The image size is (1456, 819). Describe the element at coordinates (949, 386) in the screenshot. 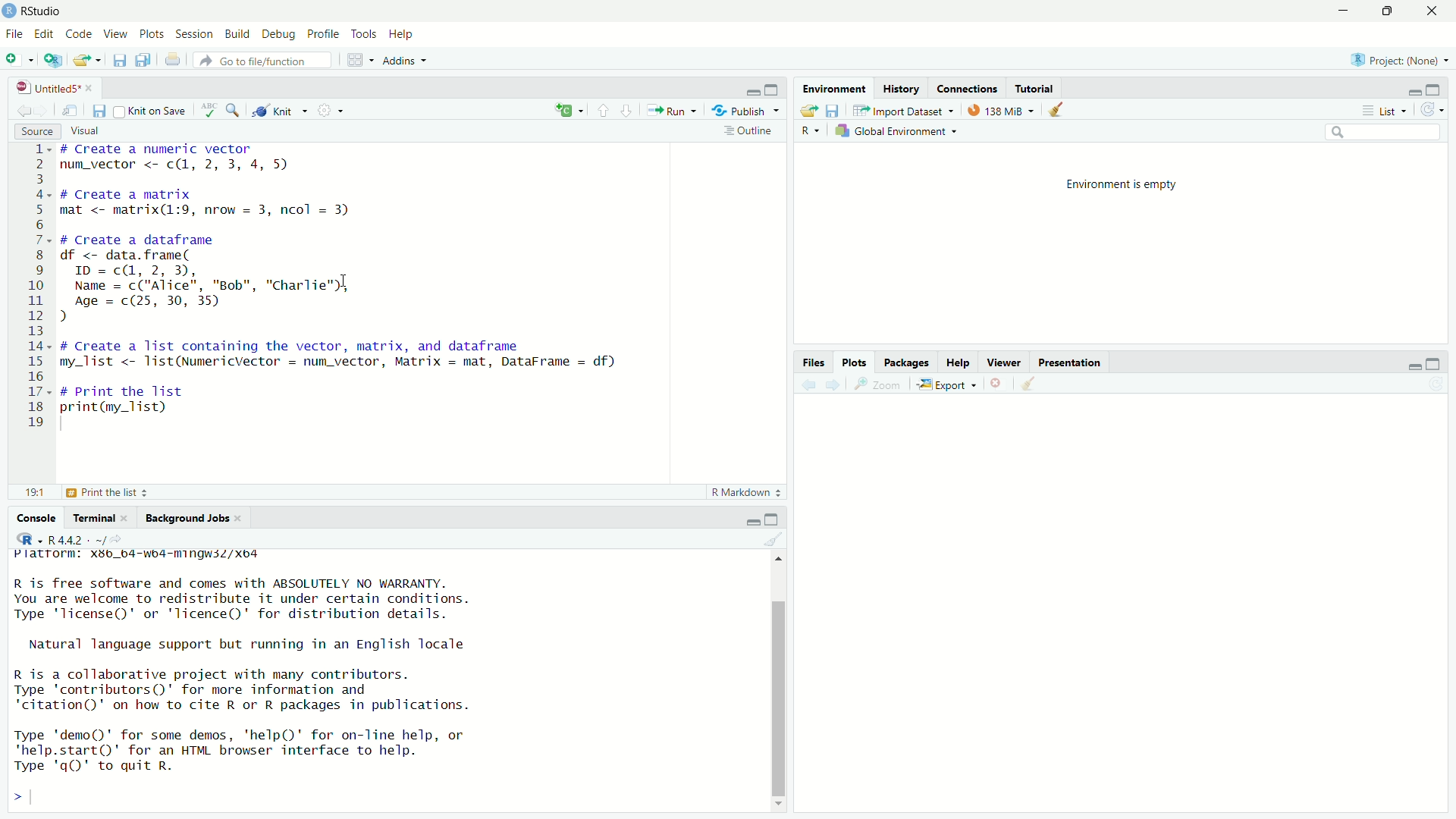

I see `Export +` at that location.